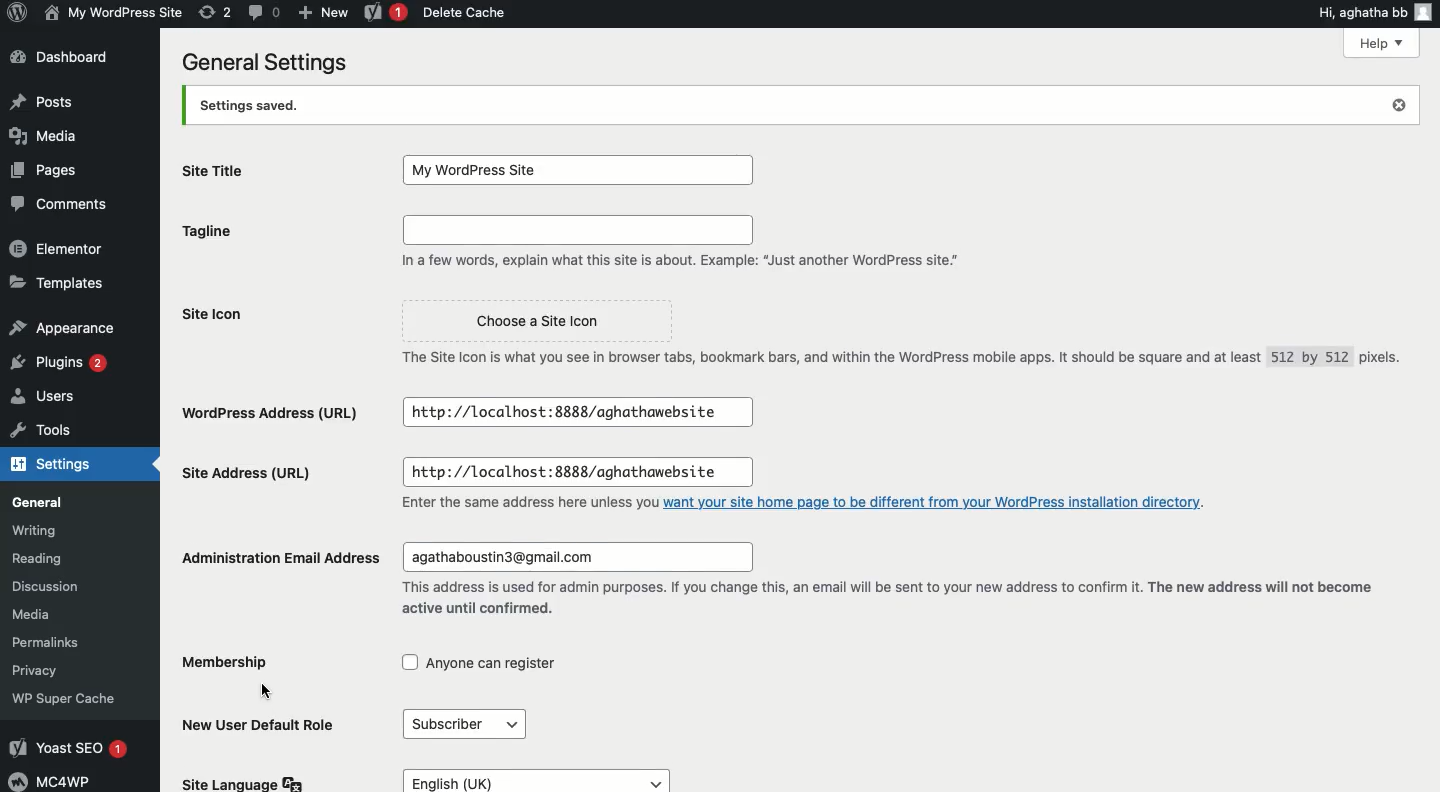 The width and height of the screenshot is (1440, 792). What do you see at coordinates (54, 781) in the screenshot?
I see `MC4WP` at bounding box center [54, 781].